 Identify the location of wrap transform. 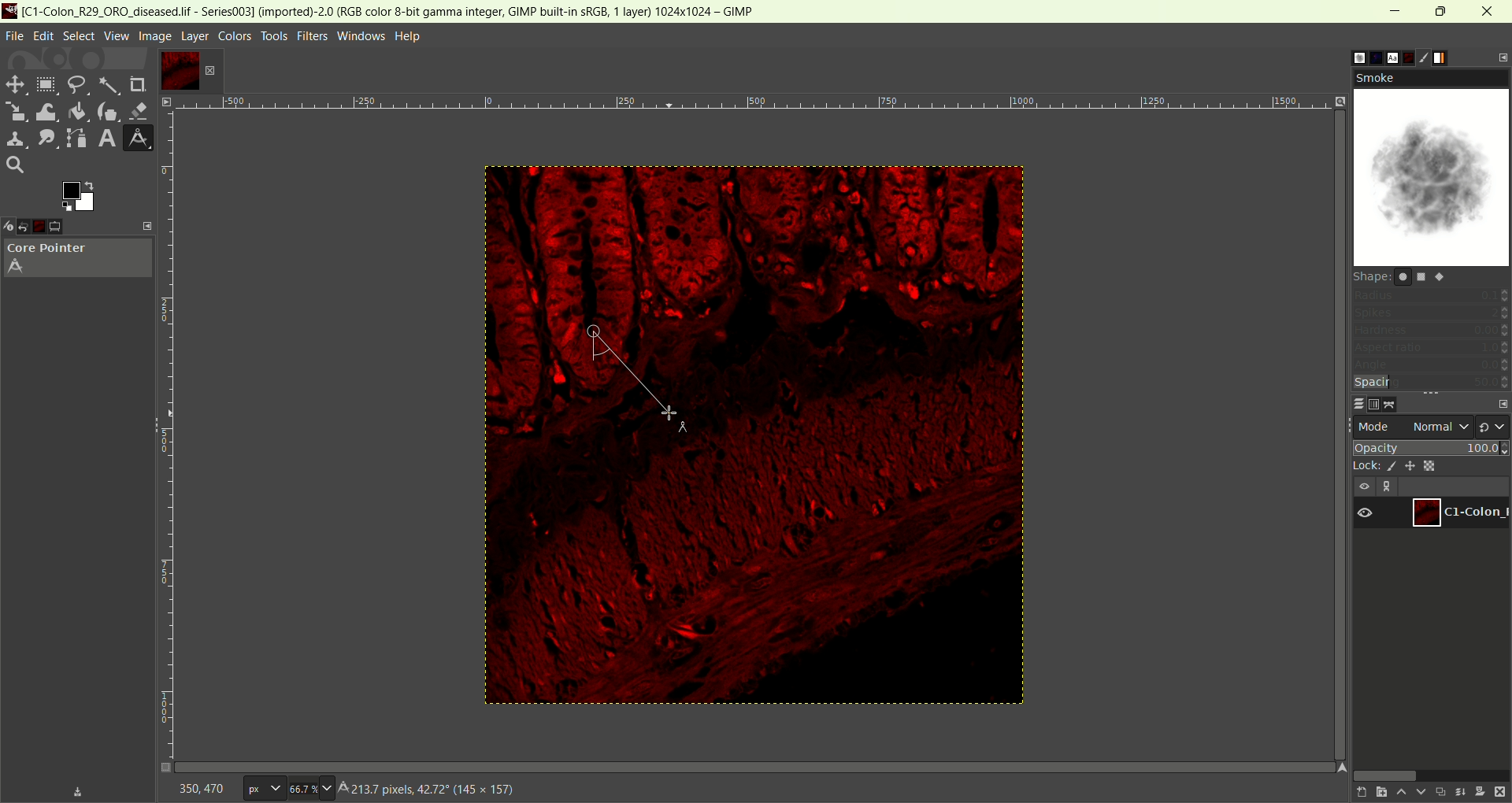
(43, 111).